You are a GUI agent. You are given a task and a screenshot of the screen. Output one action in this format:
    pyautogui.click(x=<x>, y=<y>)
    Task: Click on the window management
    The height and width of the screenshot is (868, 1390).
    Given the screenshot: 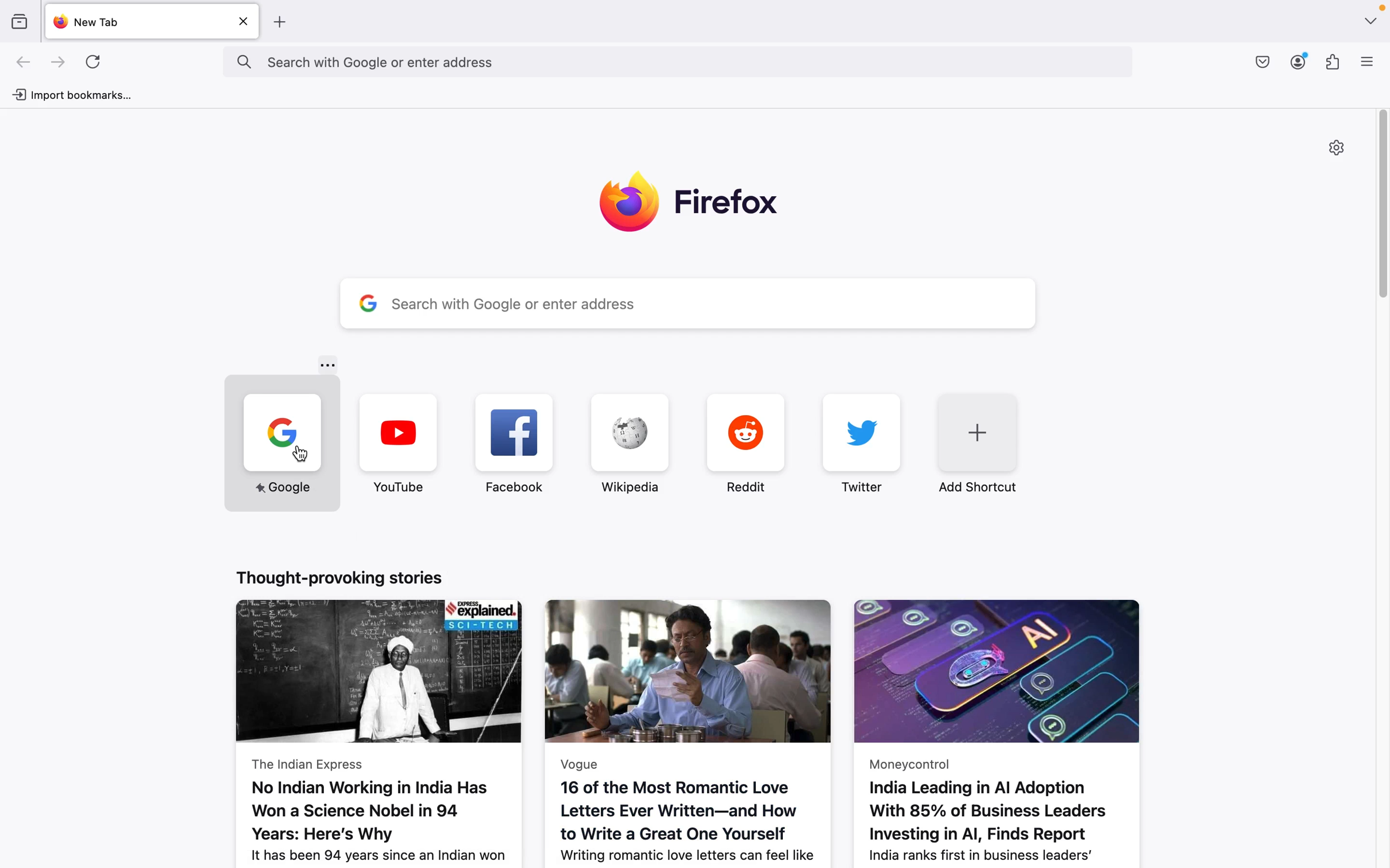 What is the action you would take?
    pyautogui.click(x=1370, y=21)
    